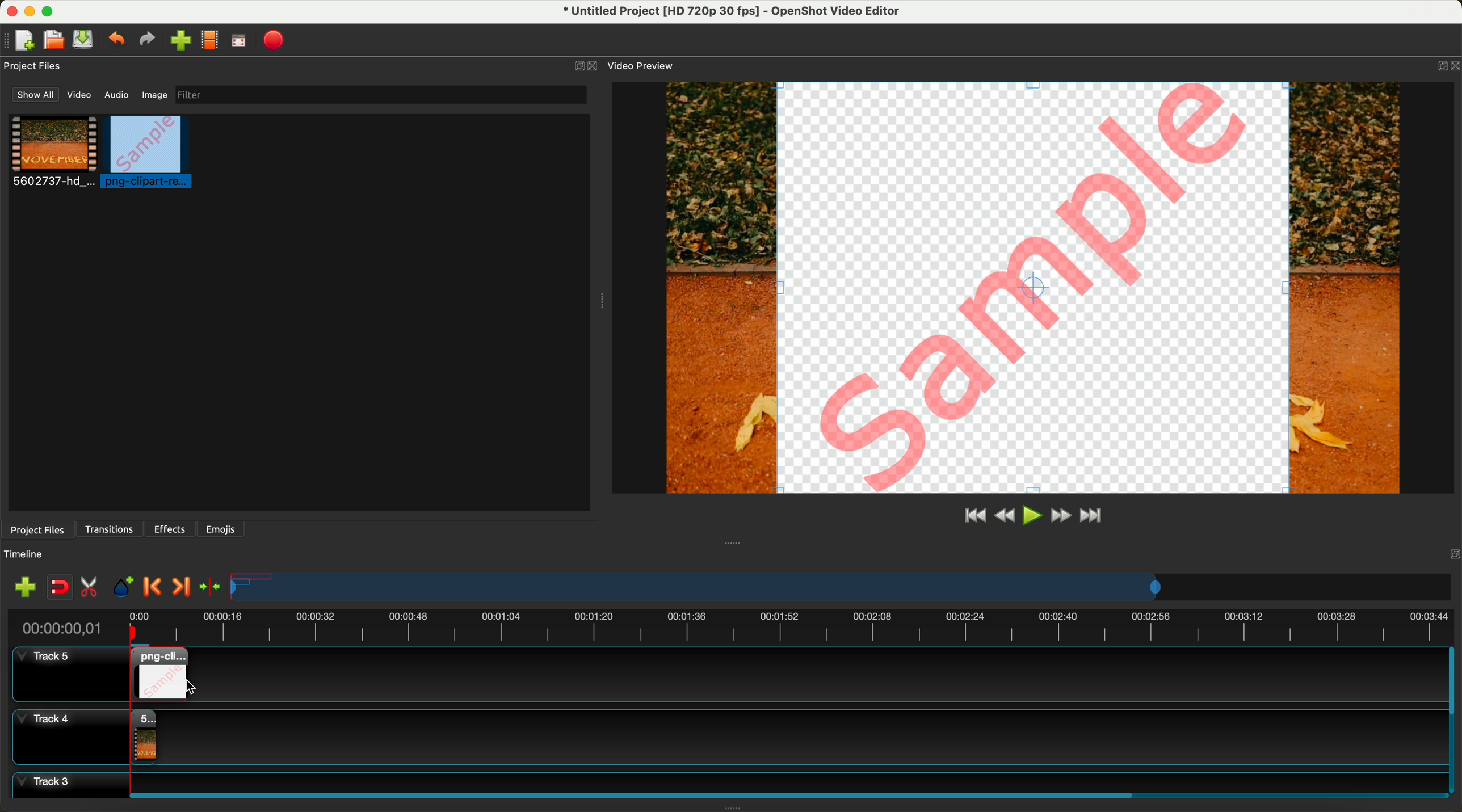 This screenshot has height=812, width=1462. Describe the element at coordinates (53, 41) in the screenshot. I see `open project` at that location.